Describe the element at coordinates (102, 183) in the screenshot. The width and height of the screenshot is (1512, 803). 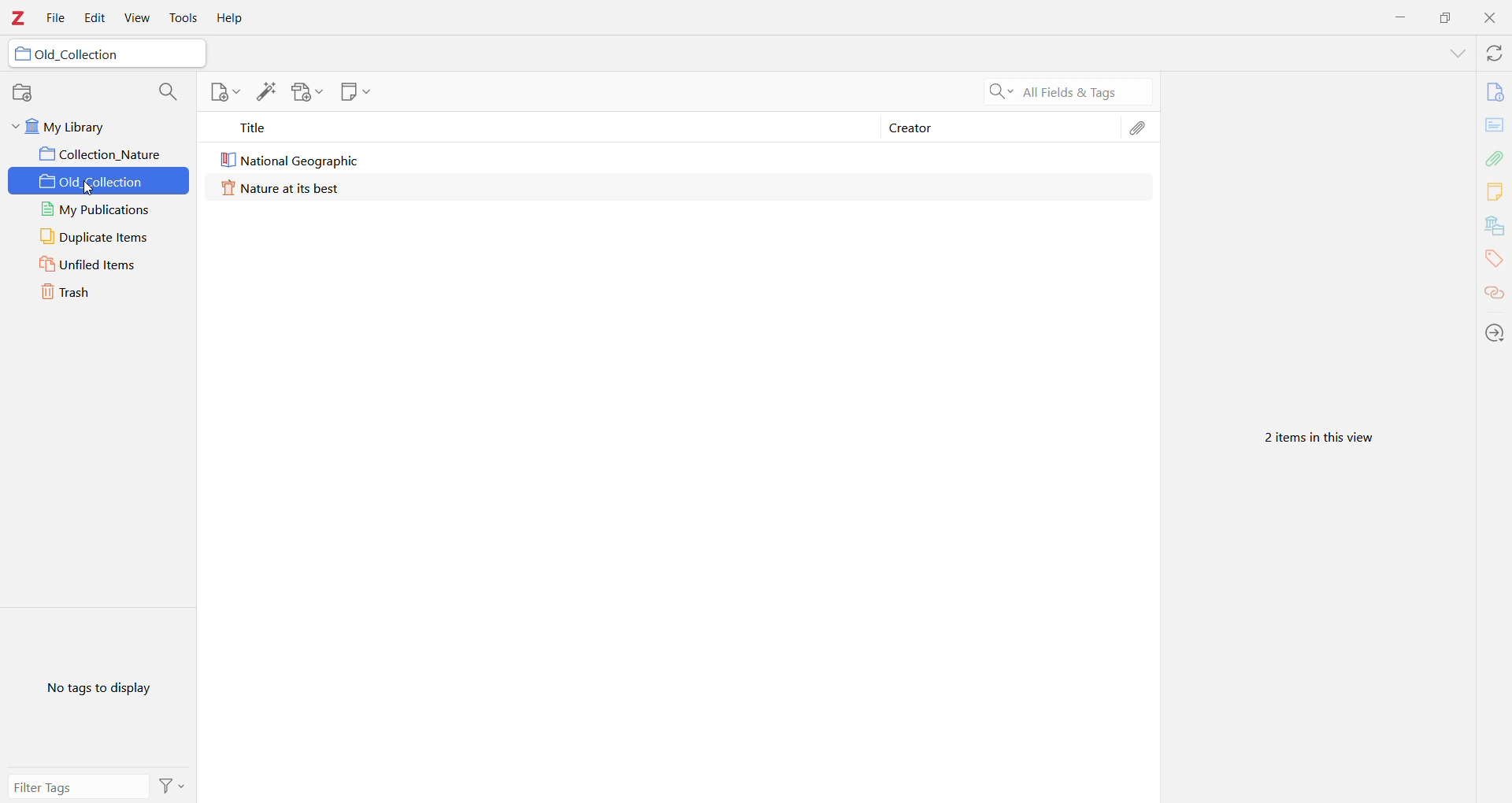
I see `Old_Collection` at that location.